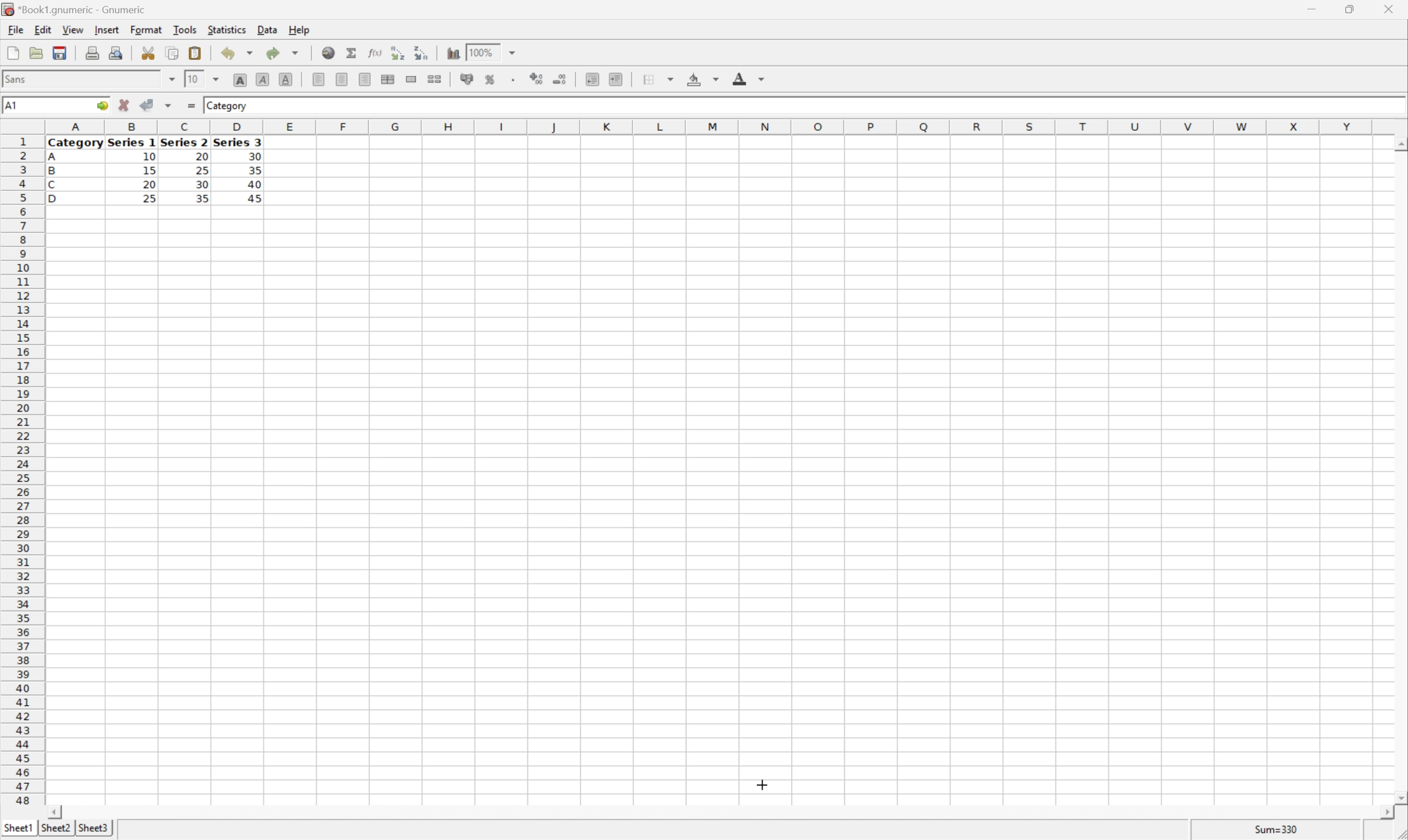 The image size is (1408, 840). What do you see at coordinates (149, 157) in the screenshot?
I see `10` at bounding box center [149, 157].